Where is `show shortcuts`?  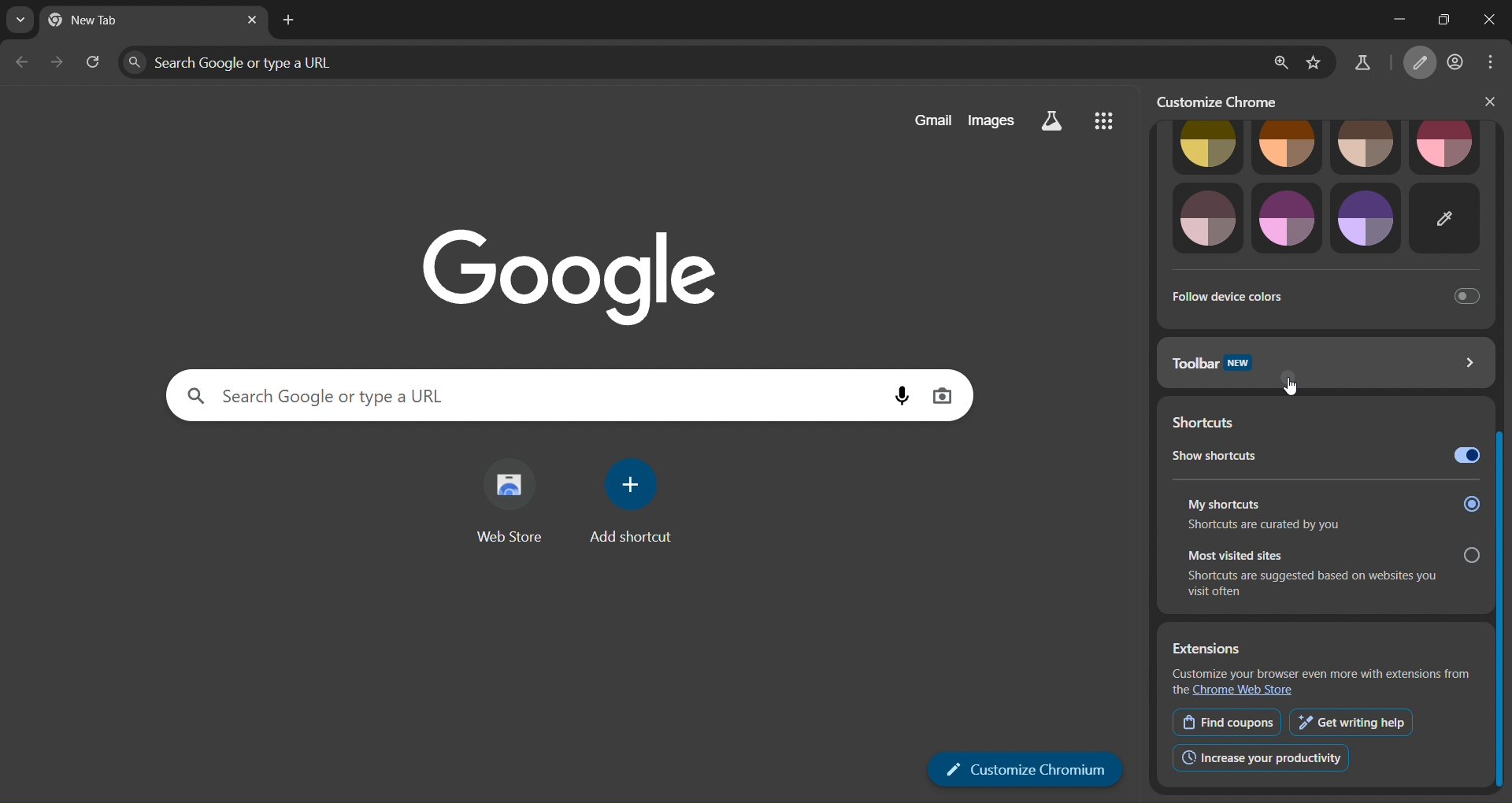
show shortcuts is located at coordinates (1324, 453).